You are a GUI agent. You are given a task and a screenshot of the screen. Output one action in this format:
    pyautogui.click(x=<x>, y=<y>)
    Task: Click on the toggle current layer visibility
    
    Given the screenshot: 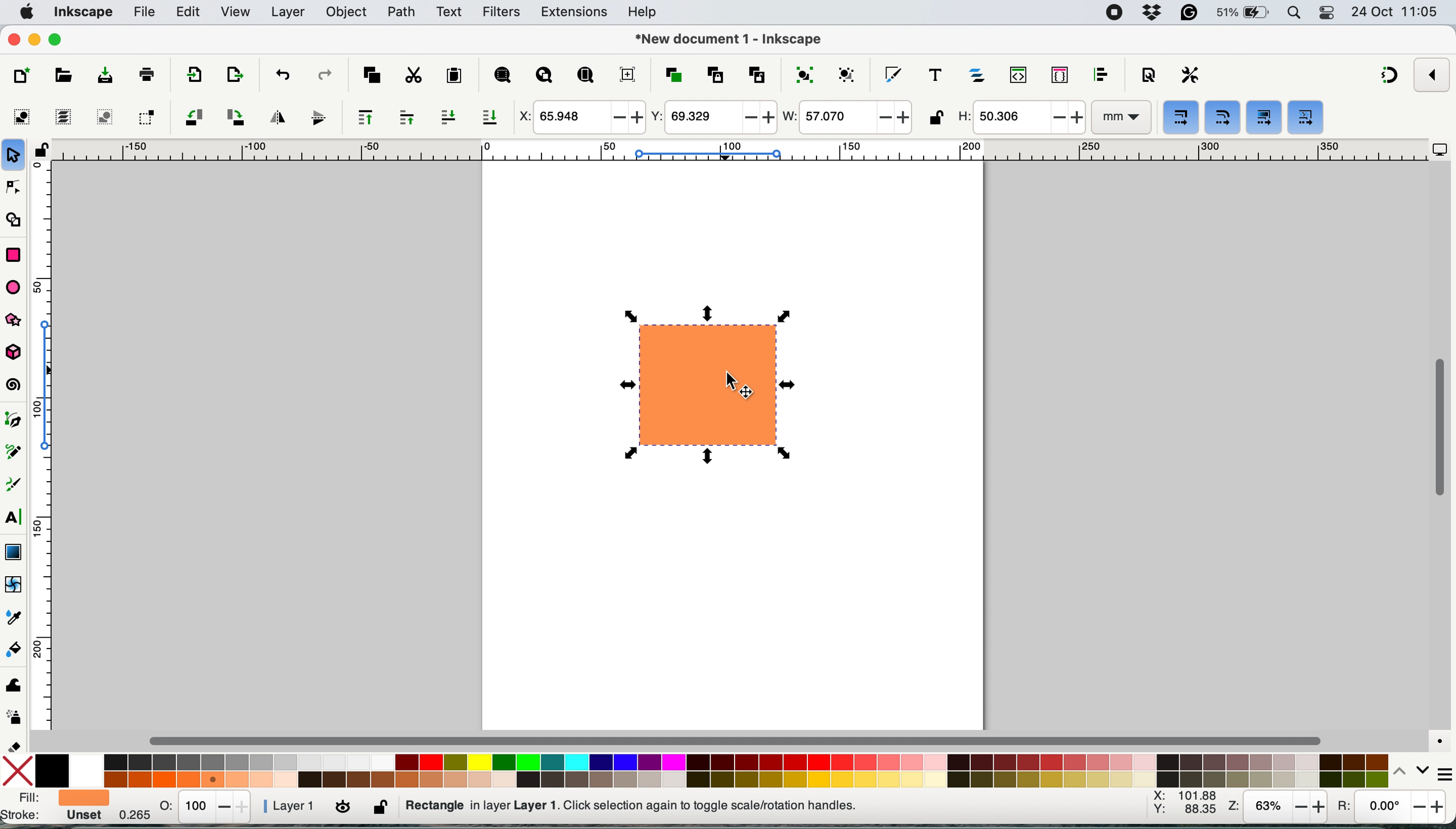 What is the action you would take?
    pyautogui.click(x=344, y=808)
    